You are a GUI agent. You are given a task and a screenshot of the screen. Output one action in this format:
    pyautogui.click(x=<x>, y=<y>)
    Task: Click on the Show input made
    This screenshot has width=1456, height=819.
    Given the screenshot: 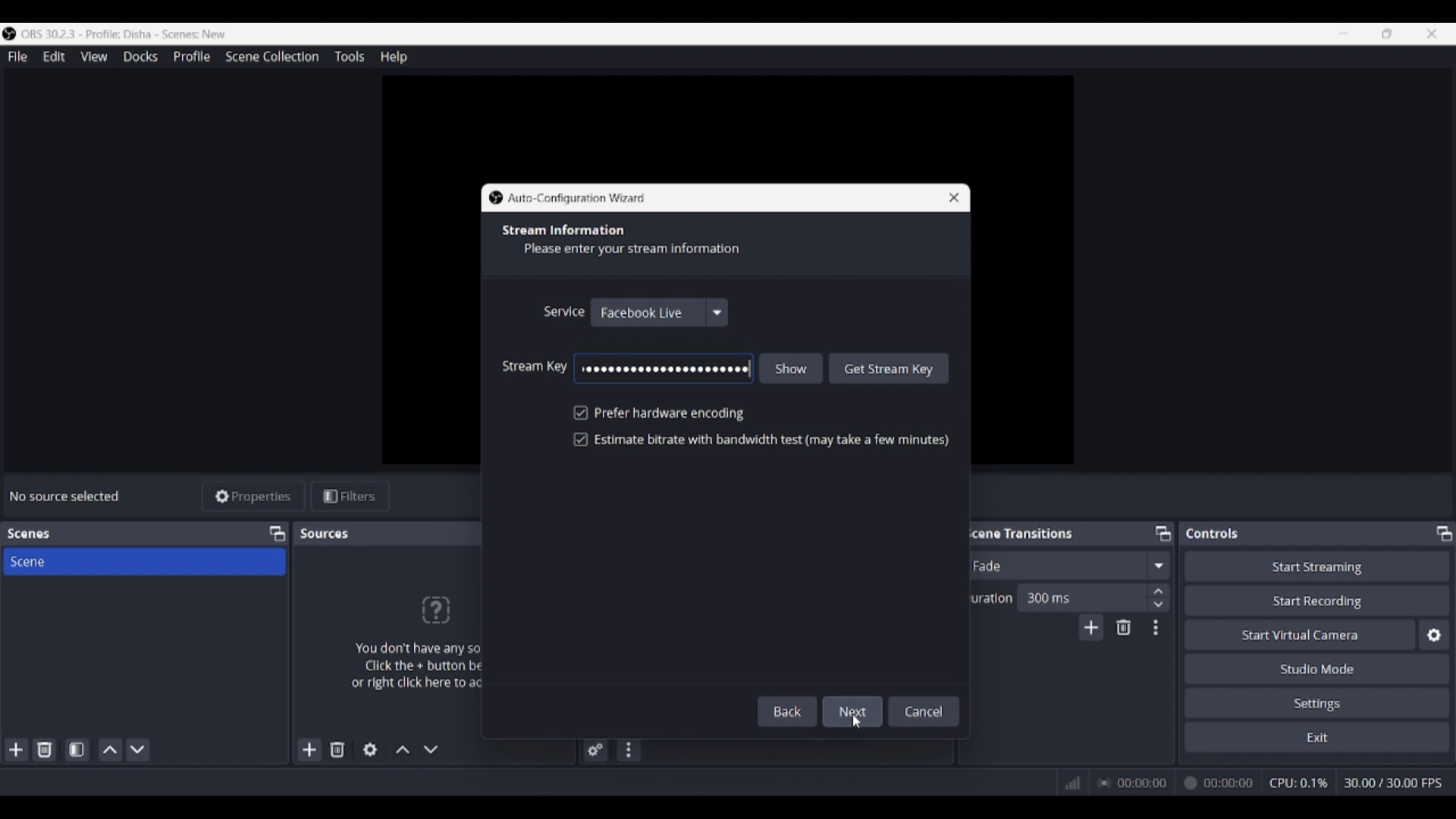 What is the action you would take?
    pyautogui.click(x=792, y=368)
    